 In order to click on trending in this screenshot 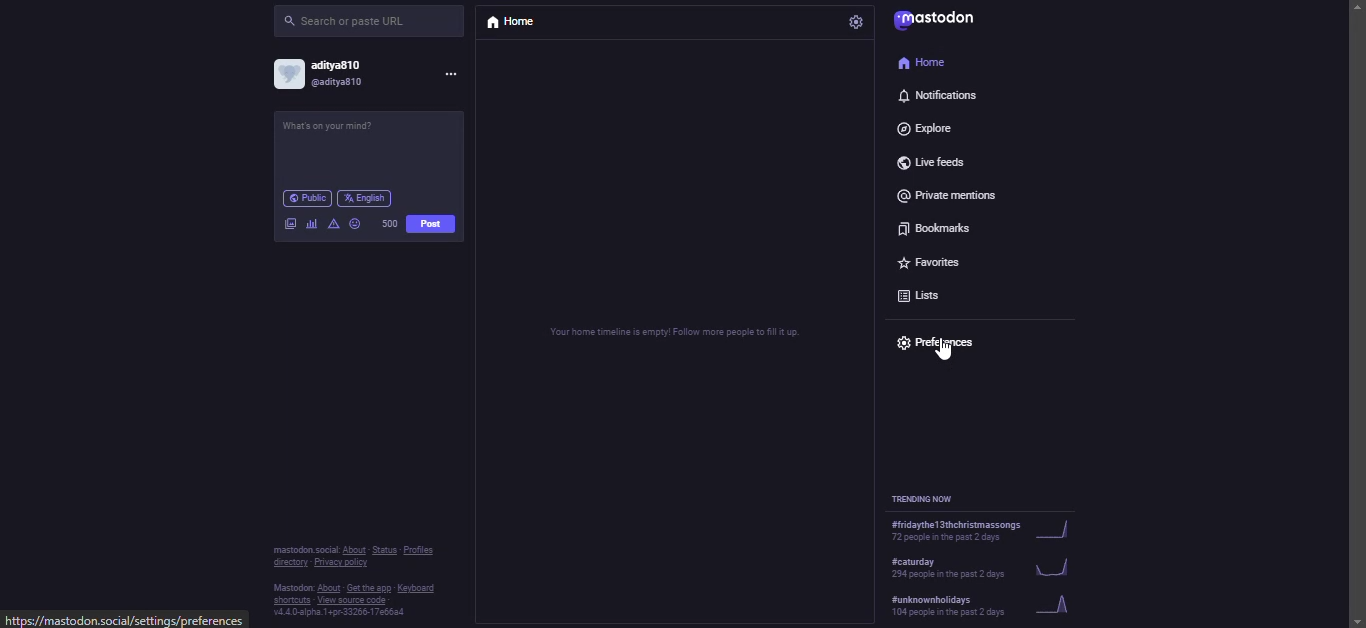, I will do `click(986, 604)`.